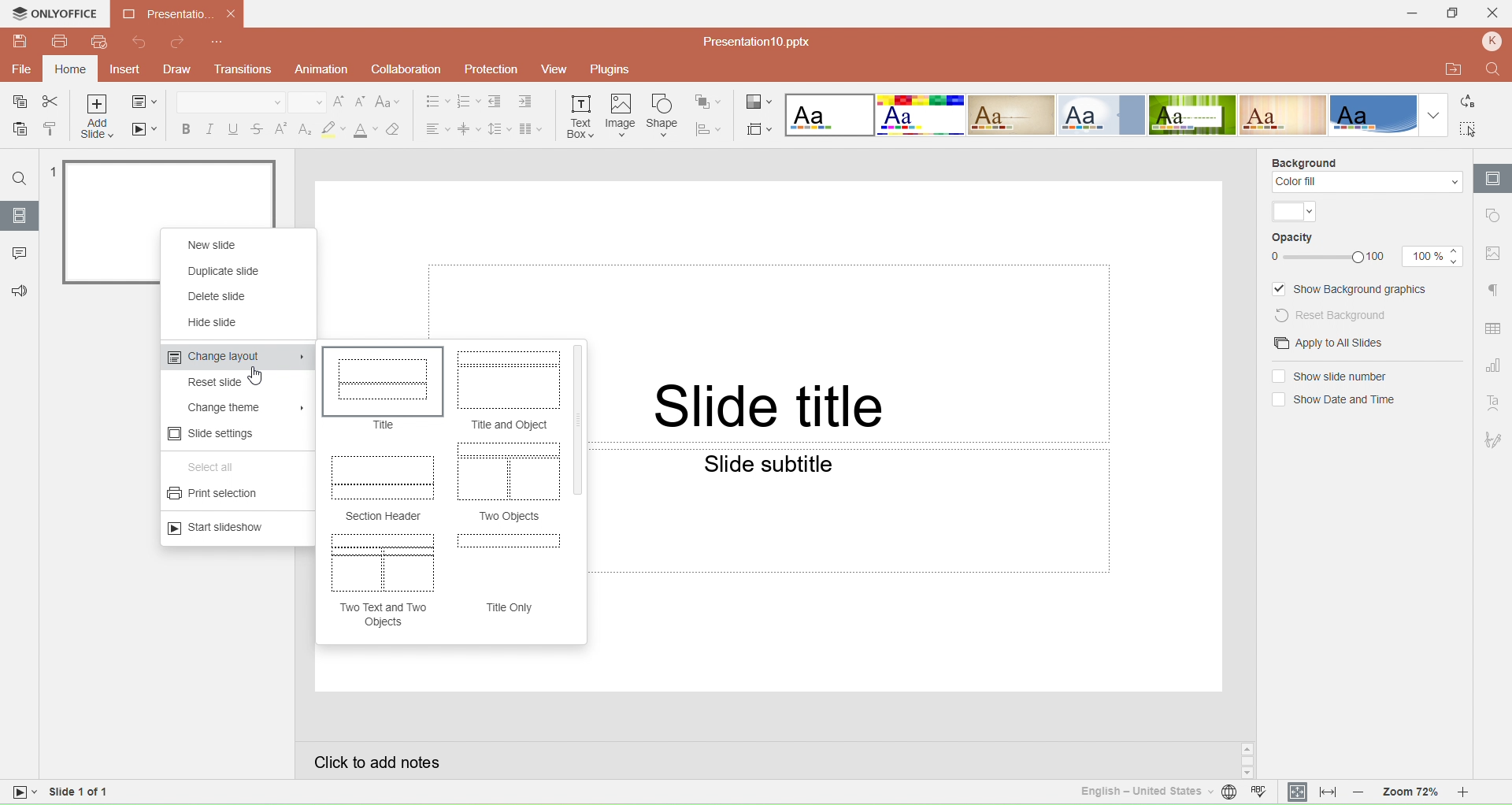  I want to click on Find, so click(20, 179).